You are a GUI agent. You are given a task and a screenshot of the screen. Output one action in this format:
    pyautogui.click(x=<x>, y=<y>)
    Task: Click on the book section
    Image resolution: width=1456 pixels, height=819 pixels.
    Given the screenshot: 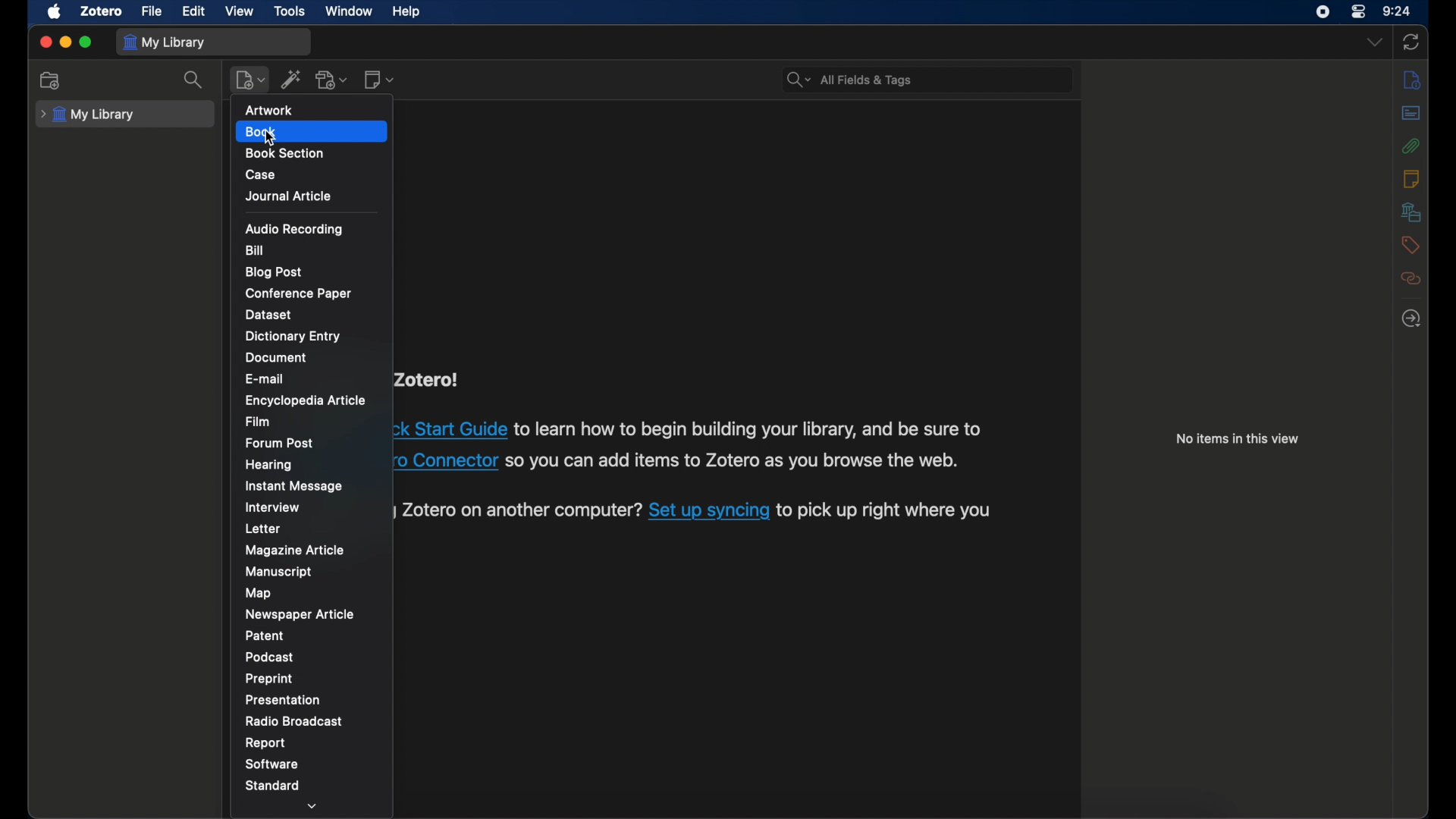 What is the action you would take?
    pyautogui.click(x=285, y=154)
    